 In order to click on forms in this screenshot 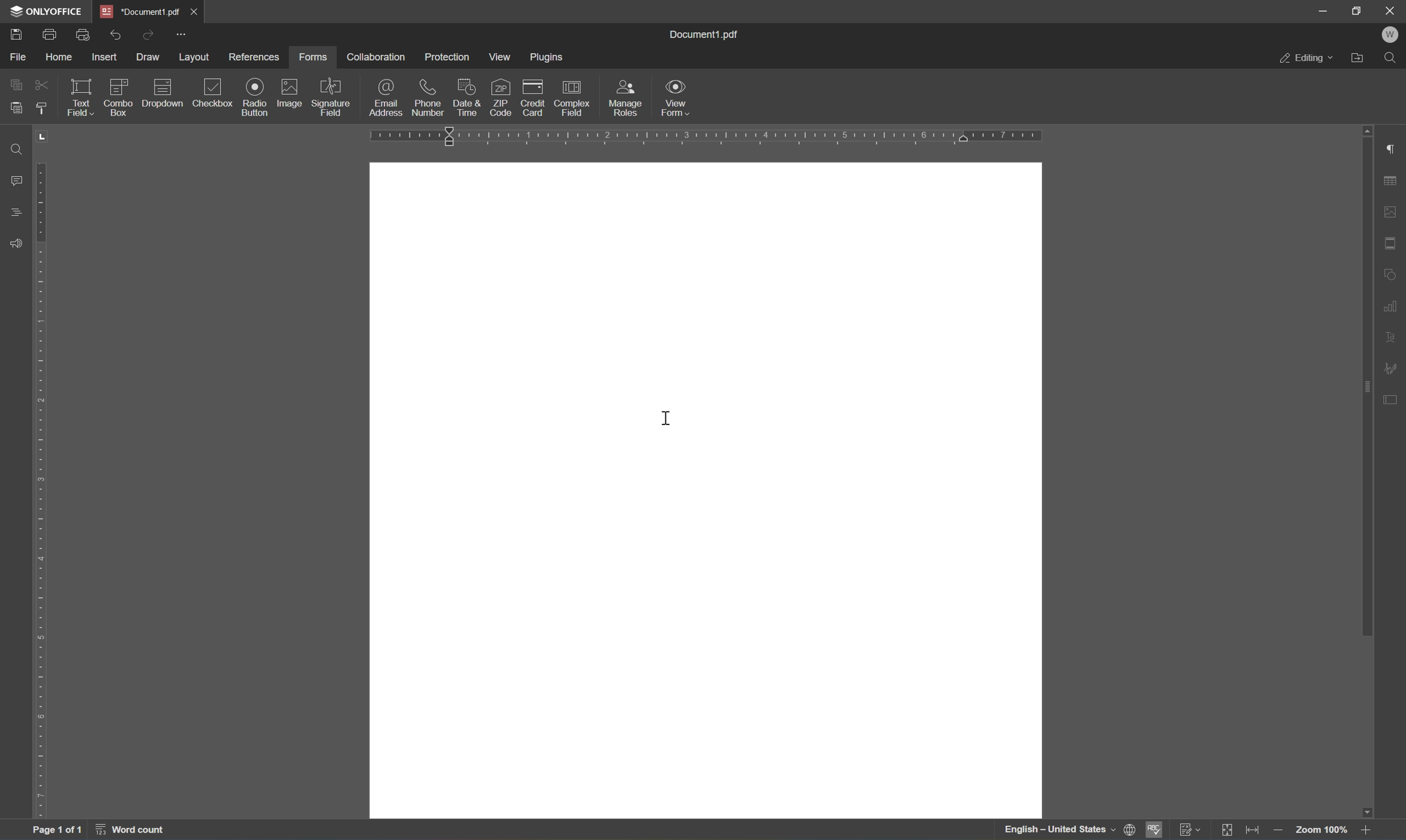, I will do `click(314, 57)`.